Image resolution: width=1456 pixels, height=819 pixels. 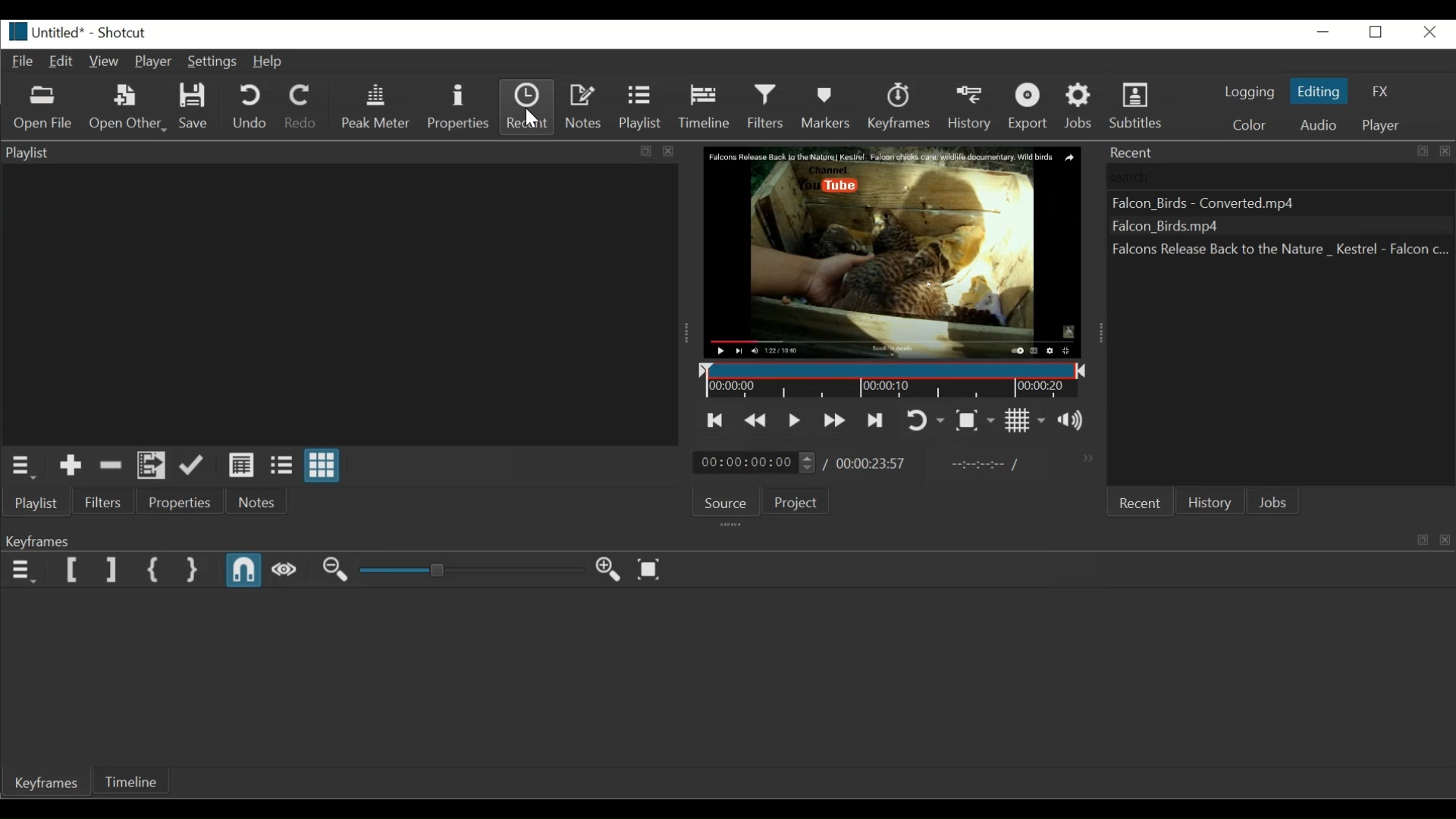 I want to click on Toggle player looping, so click(x=924, y=421).